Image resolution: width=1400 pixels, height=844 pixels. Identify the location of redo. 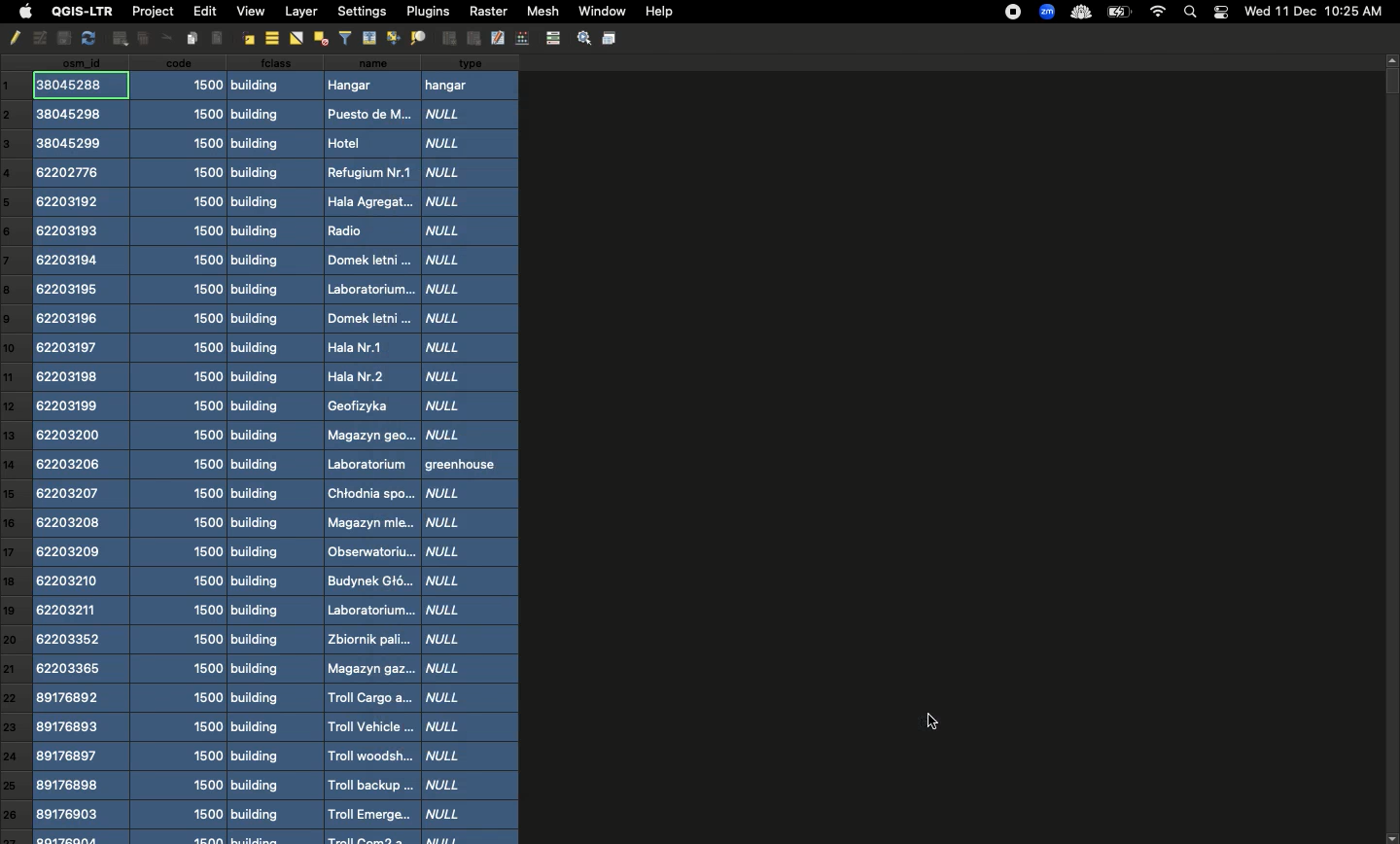
(87, 38).